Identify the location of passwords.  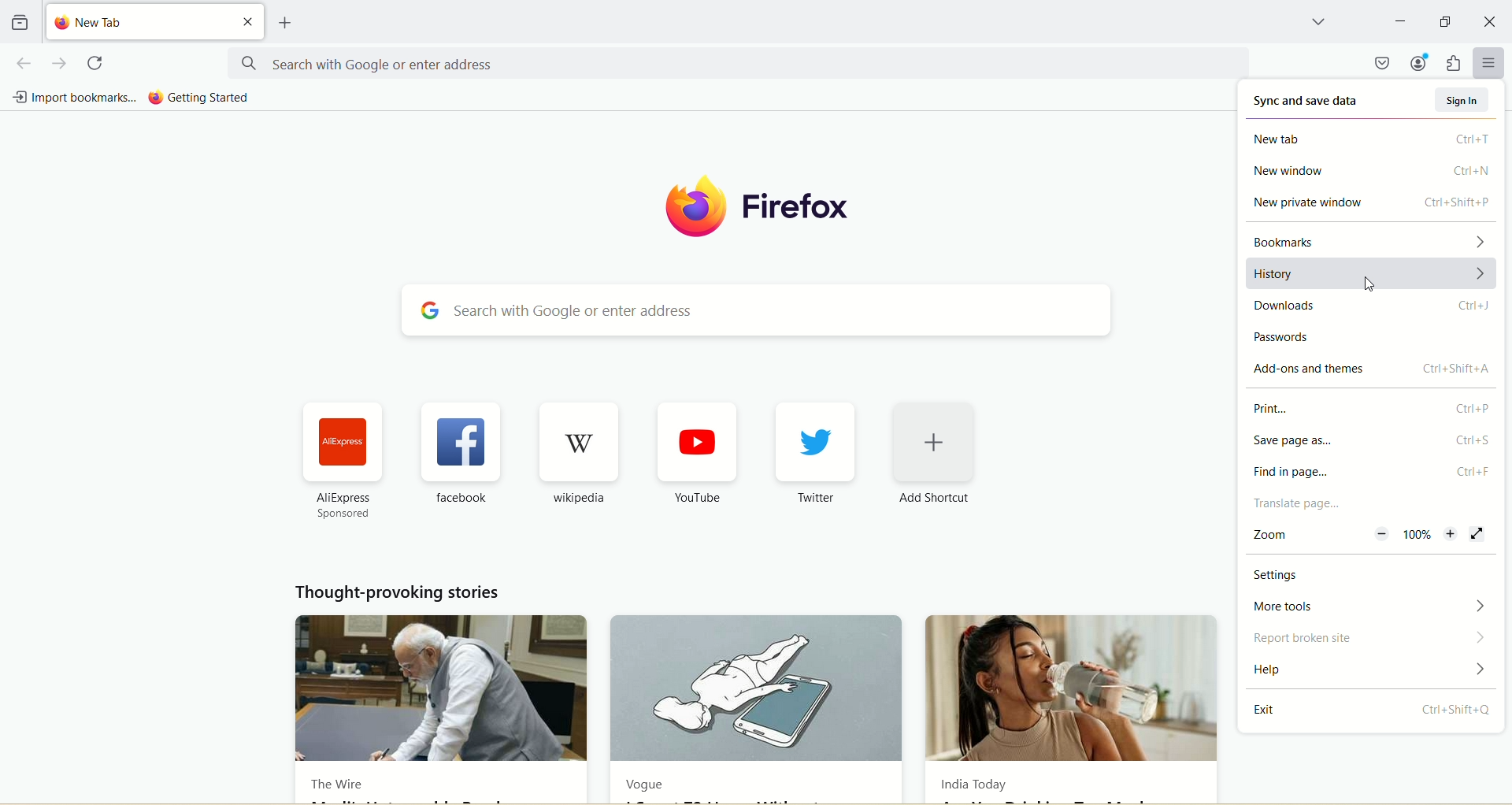
(1369, 335).